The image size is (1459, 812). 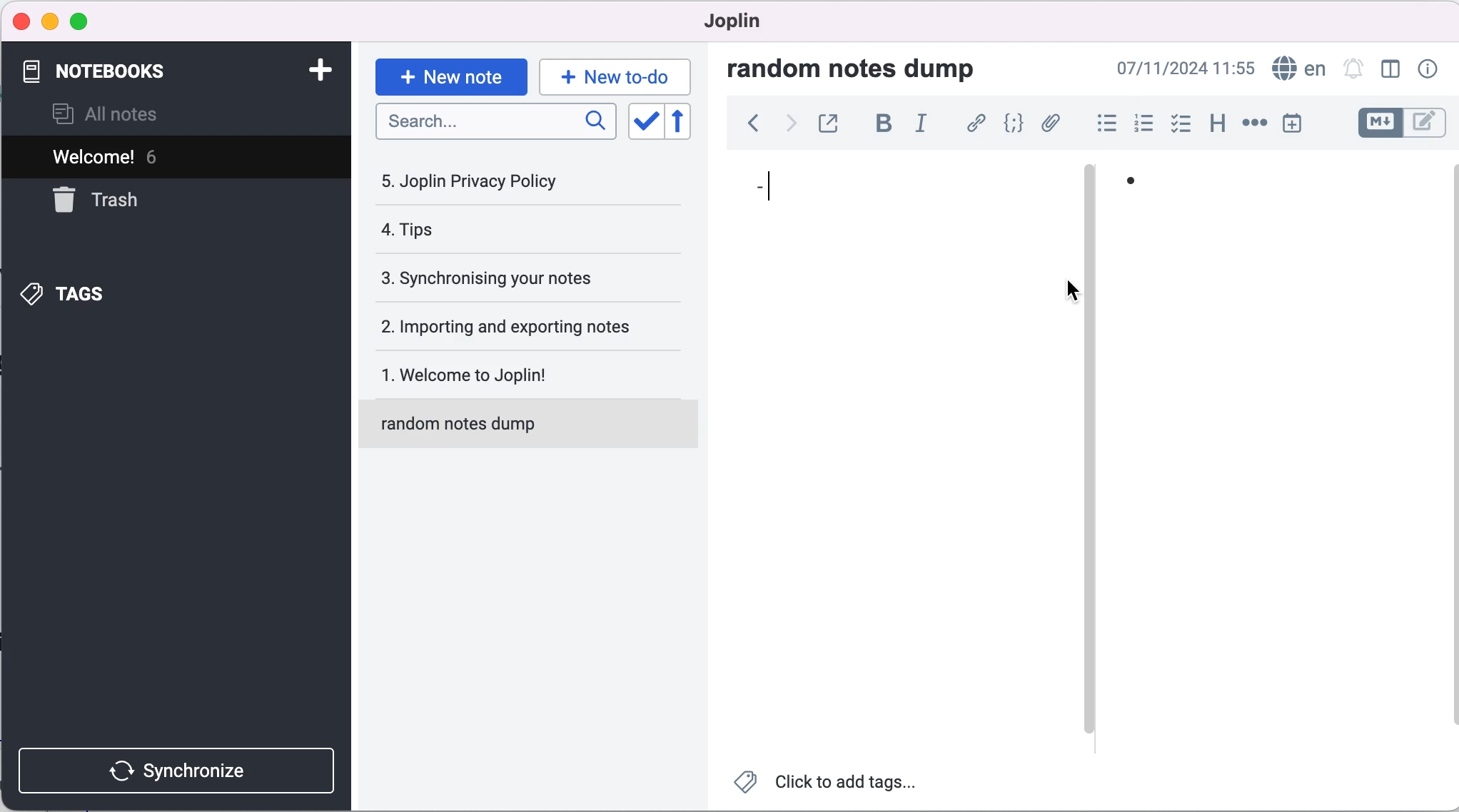 I want to click on toggle sort order field, so click(x=644, y=121).